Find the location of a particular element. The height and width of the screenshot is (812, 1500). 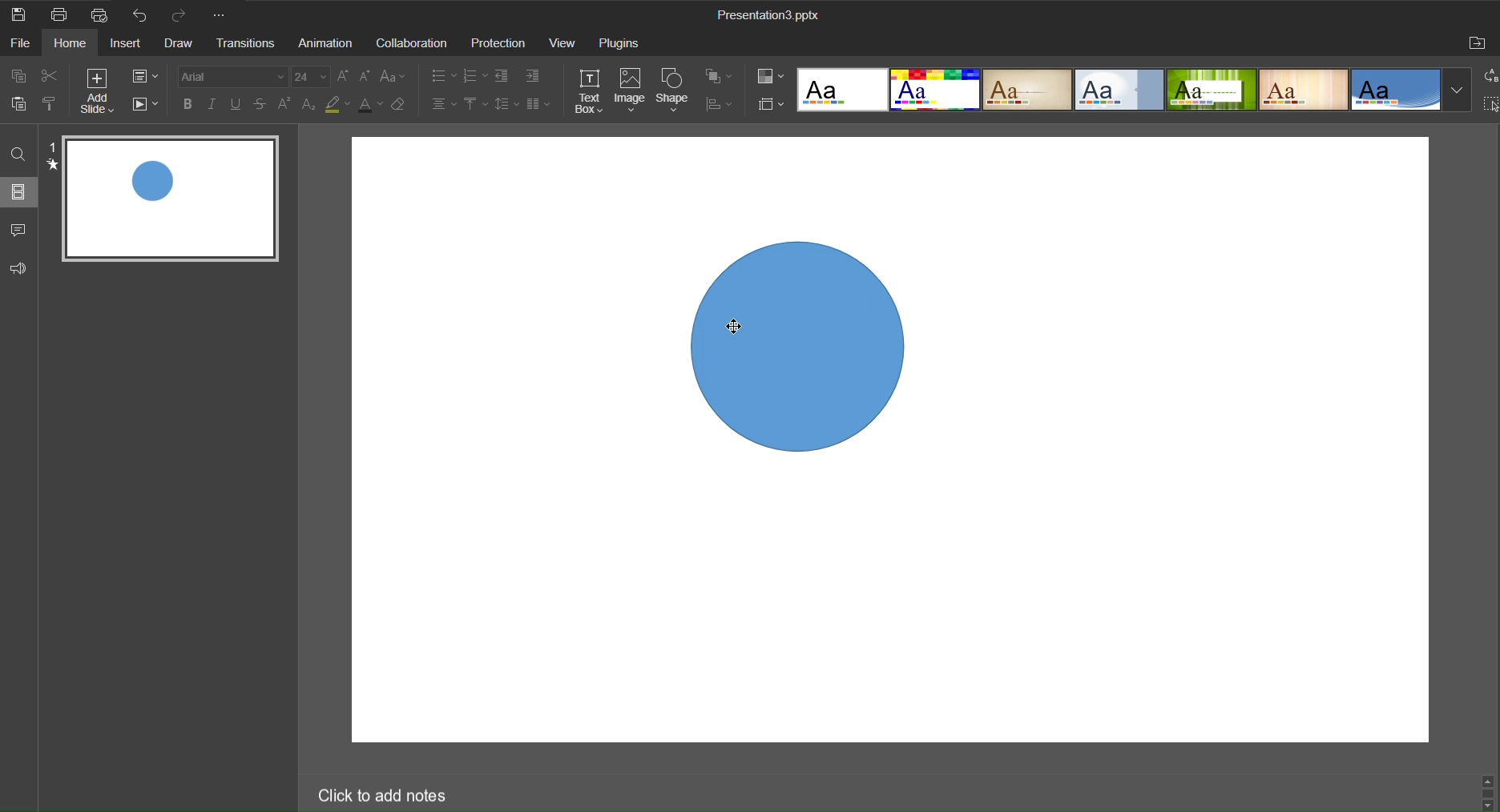

Print is located at coordinates (58, 14).